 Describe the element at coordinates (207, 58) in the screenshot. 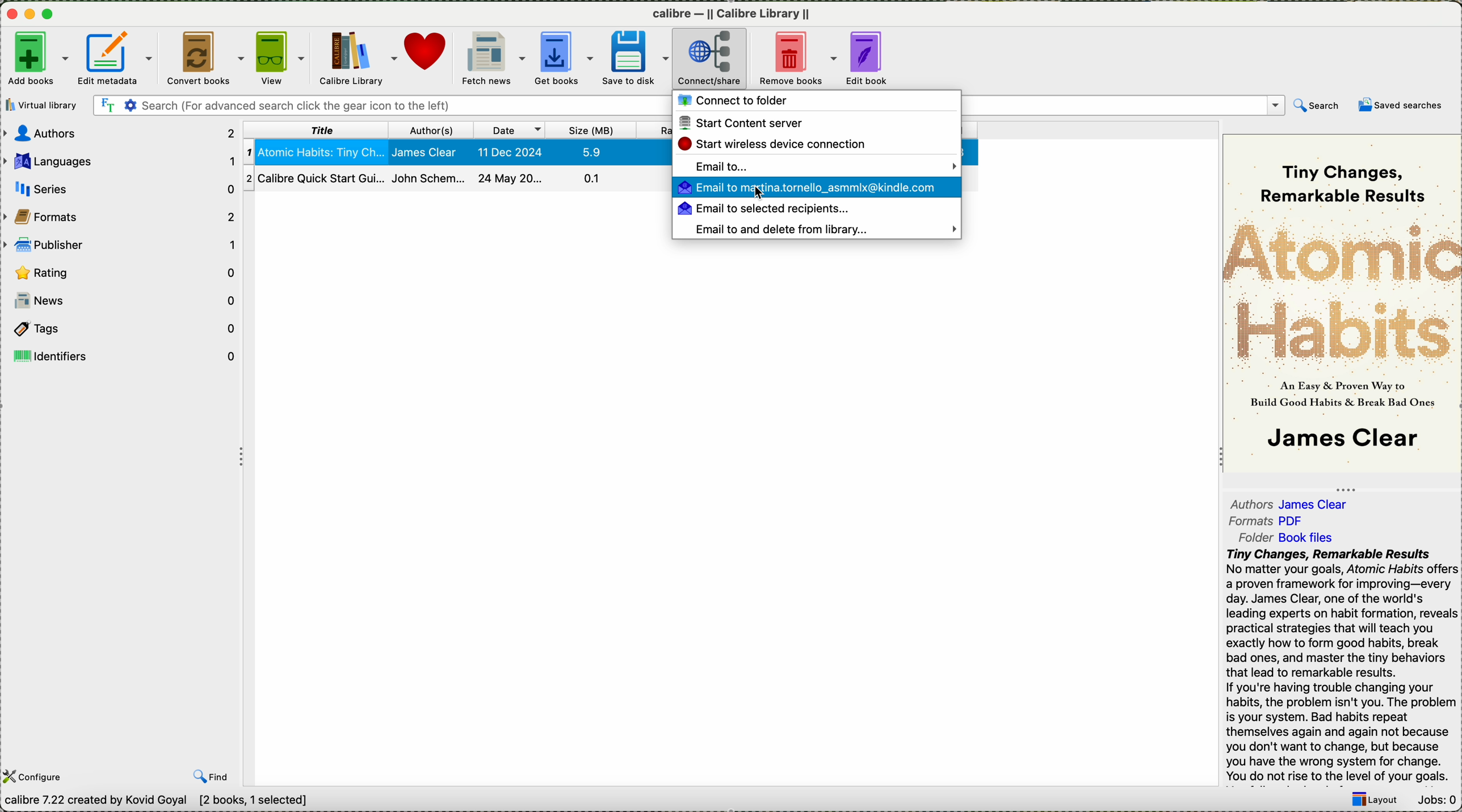

I see `convert books` at that location.